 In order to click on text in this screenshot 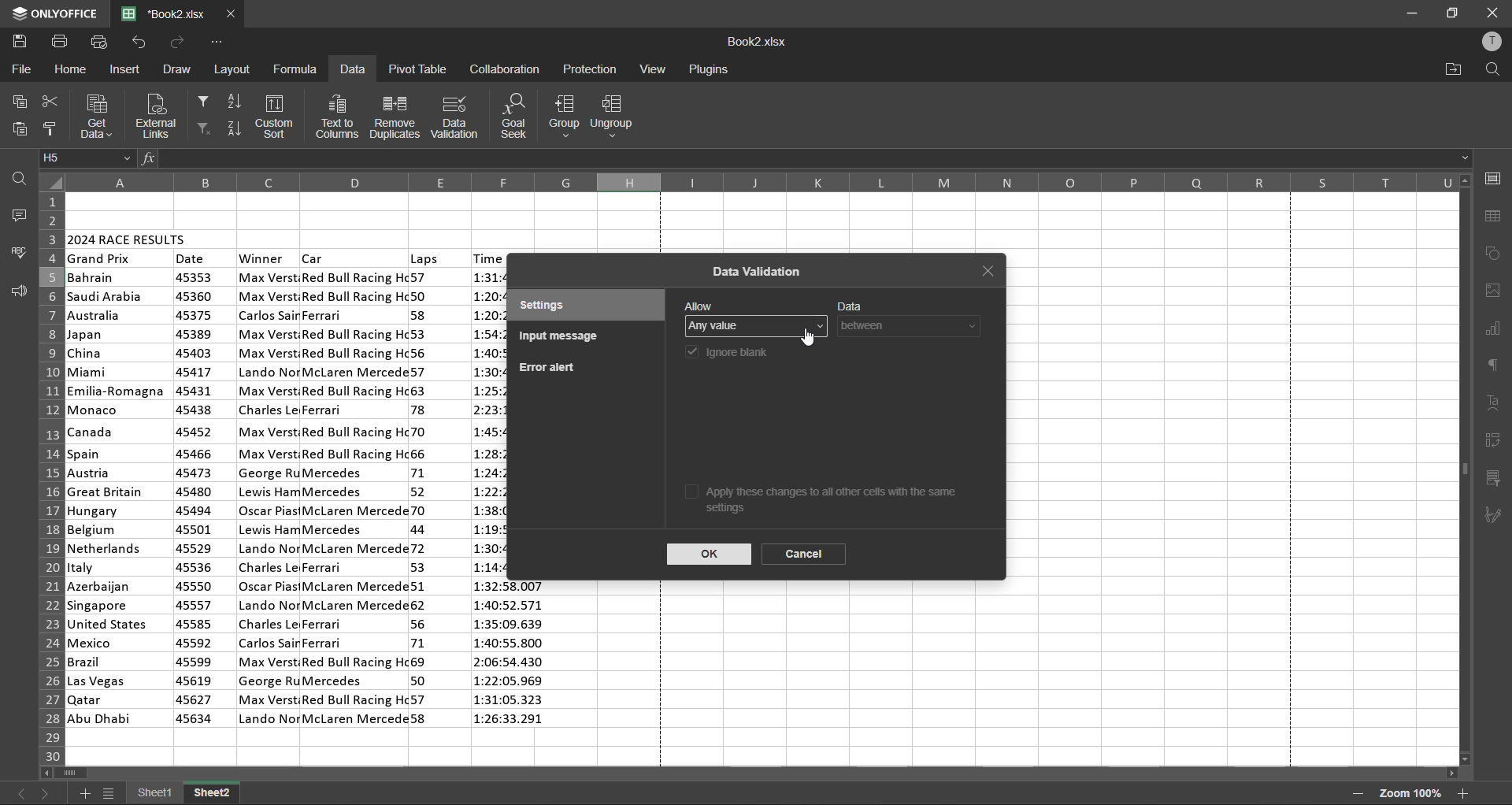, I will do `click(1495, 403)`.